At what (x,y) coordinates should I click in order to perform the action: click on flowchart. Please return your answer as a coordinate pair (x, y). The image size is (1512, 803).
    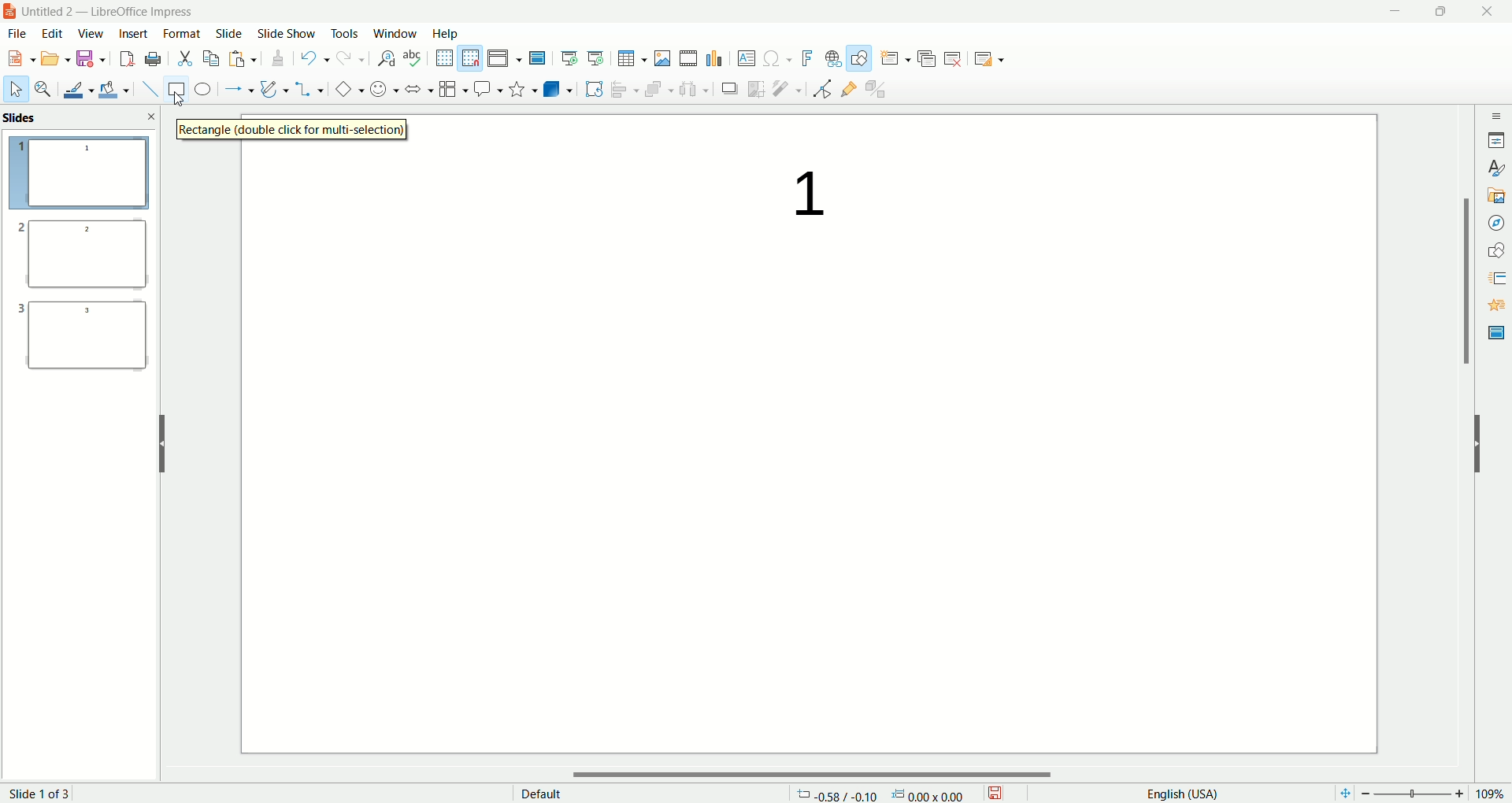
    Looking at the image, I should click on (450, 90).